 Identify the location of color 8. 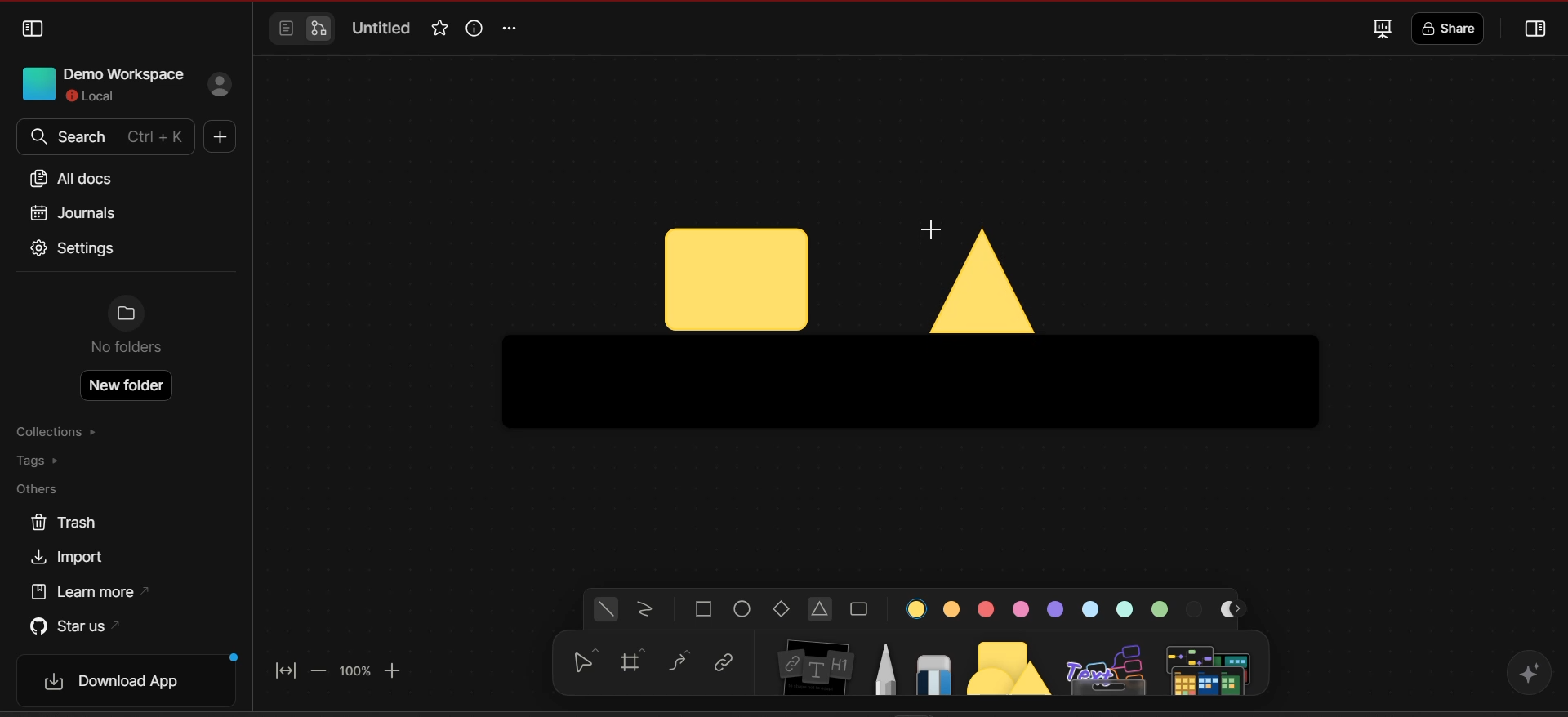
(1162, 608).